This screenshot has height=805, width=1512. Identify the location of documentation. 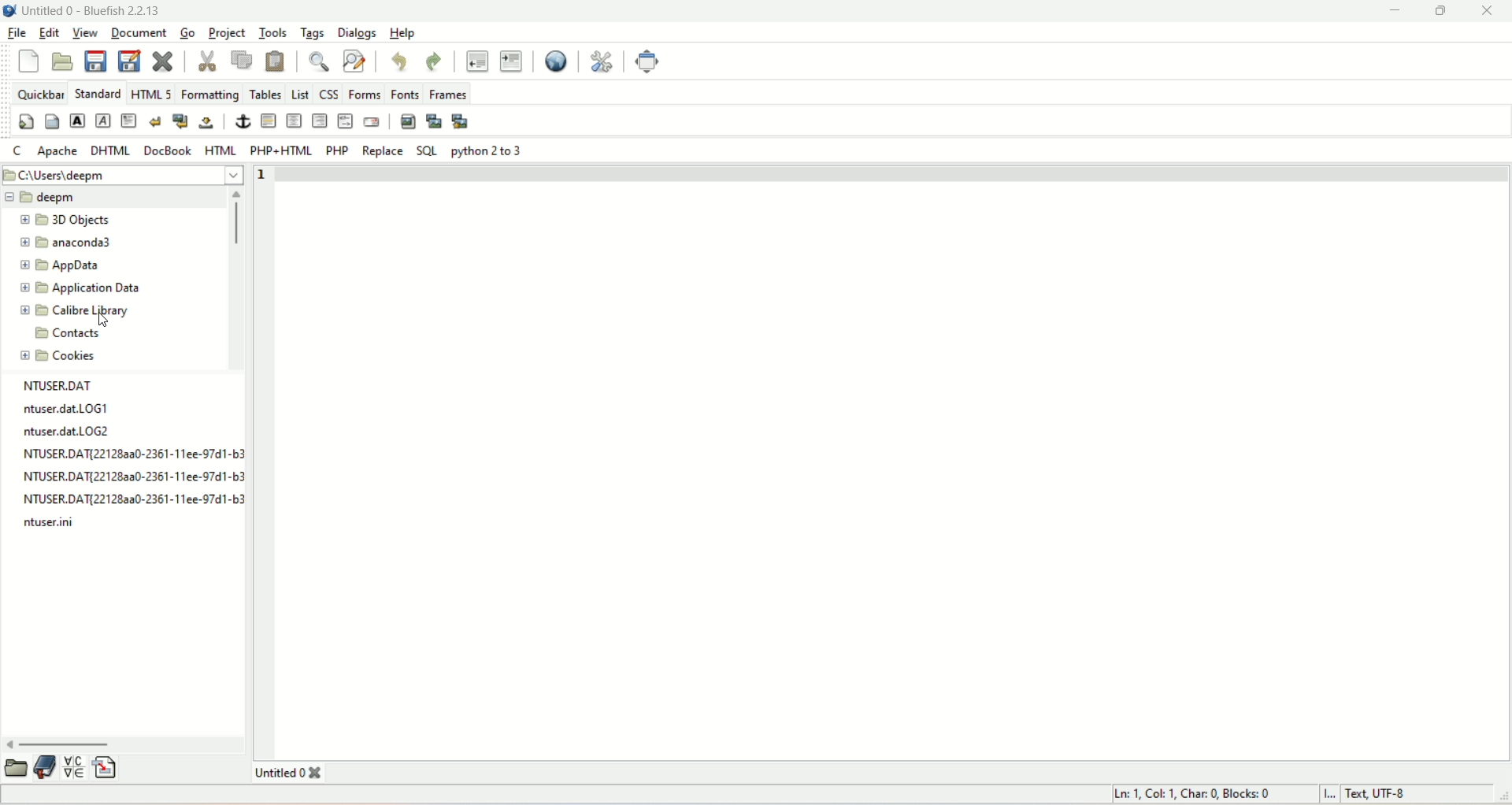
(46, 767).